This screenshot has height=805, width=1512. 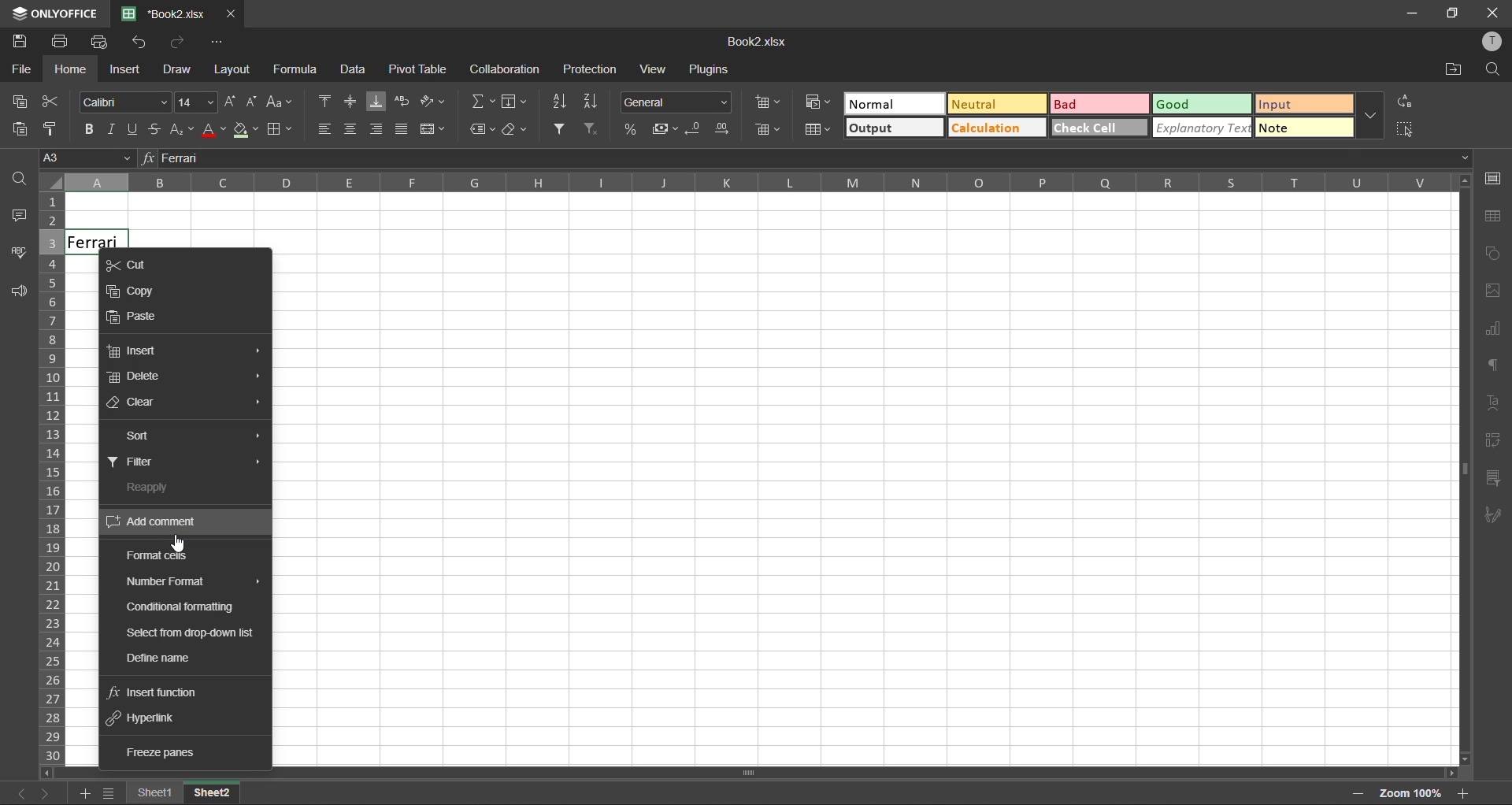 I want to click on conditional formatting, so click(x=816, y=103).